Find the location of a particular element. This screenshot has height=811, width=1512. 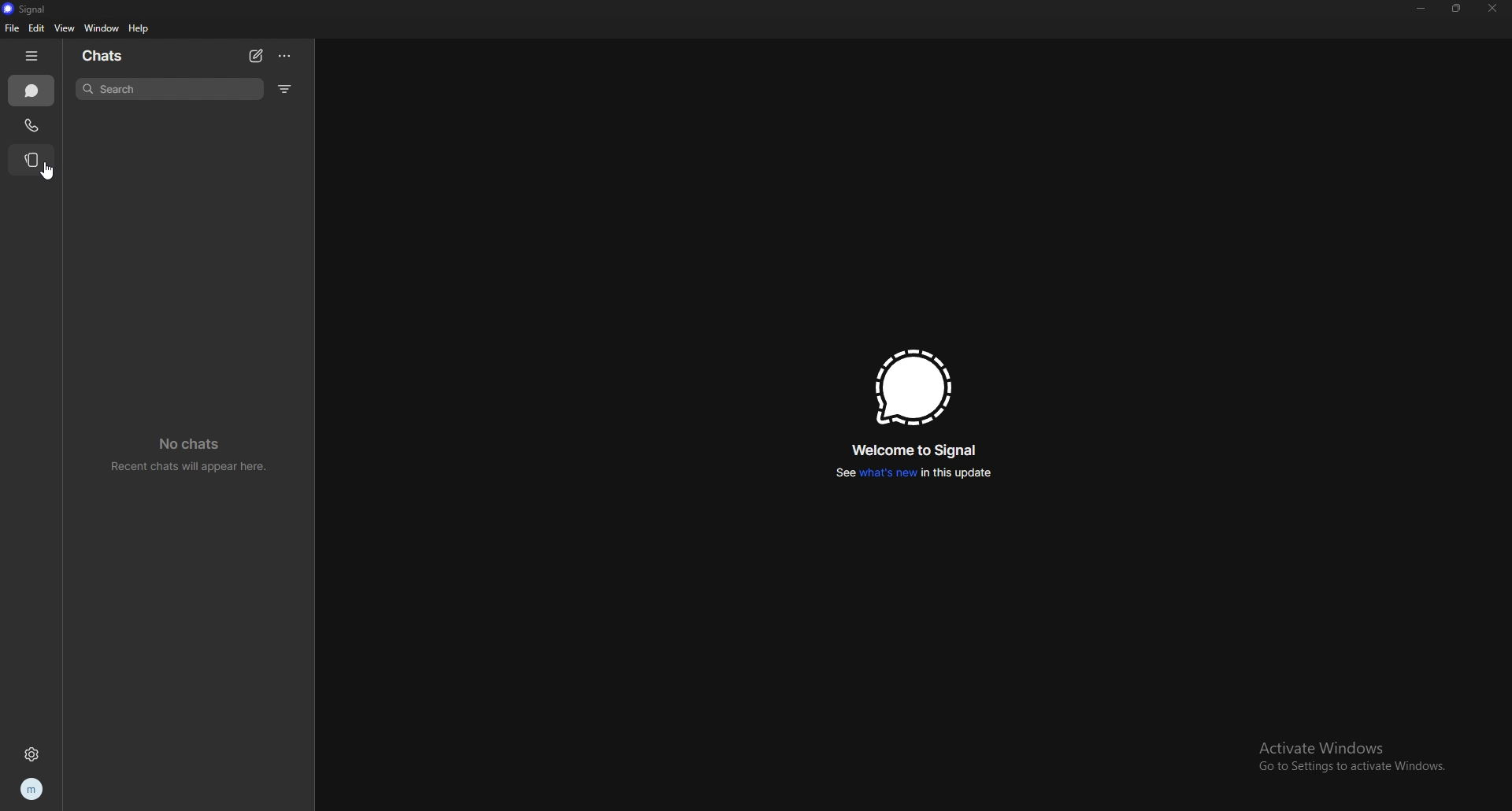

signal logo is located at coordinates (913, 386).